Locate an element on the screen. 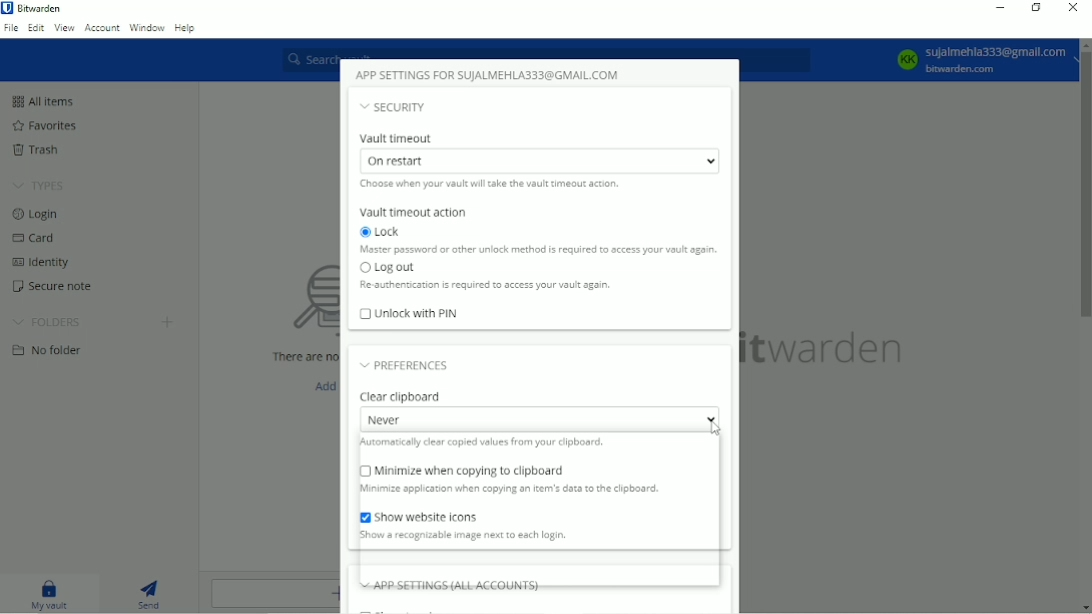 The height and width of the screenshot is (614, 1092). Secure note. is located at coordinates (63, 286).